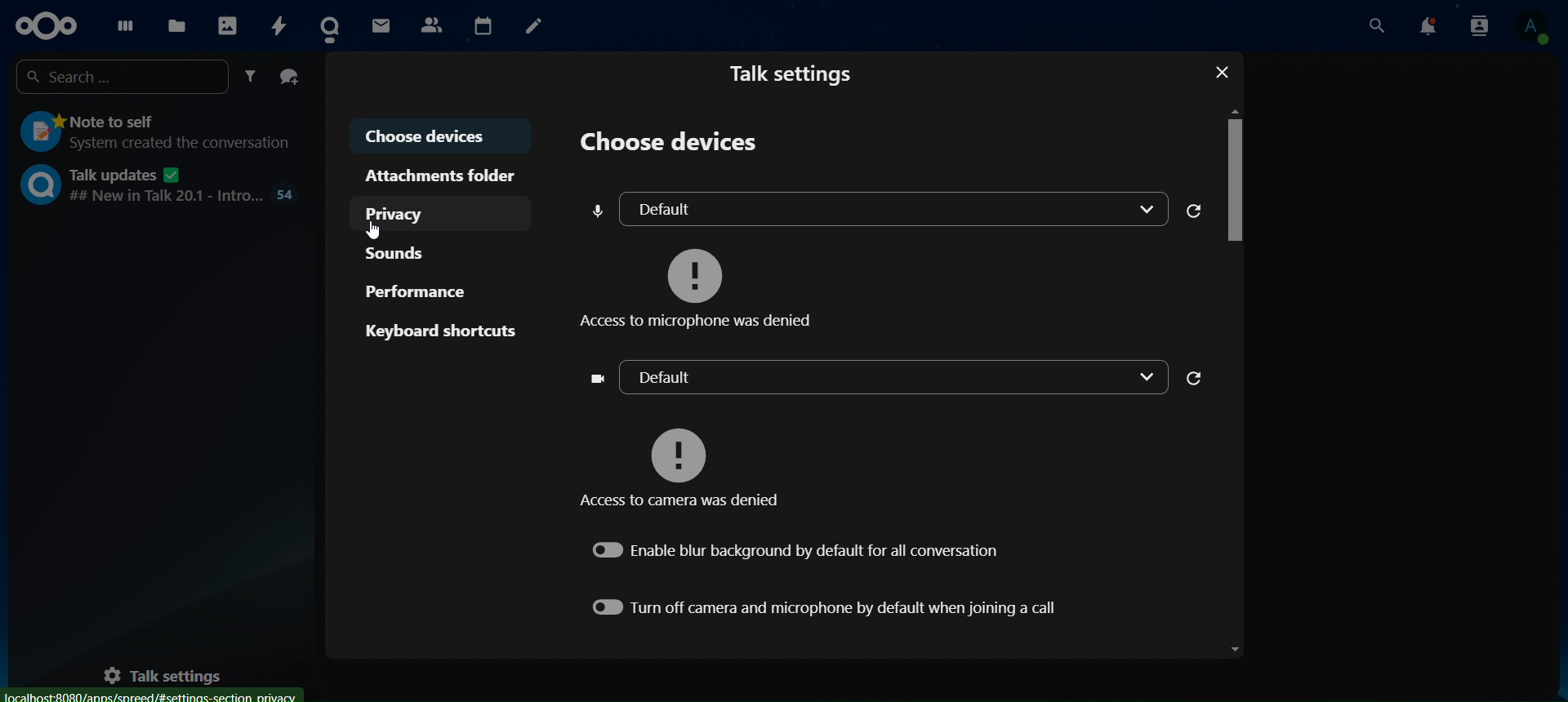 The image size is (1568, 702). What do you see at coordinates (412, 211) in the screenshot?
I see `privacy` at bounding box center [412, 211].